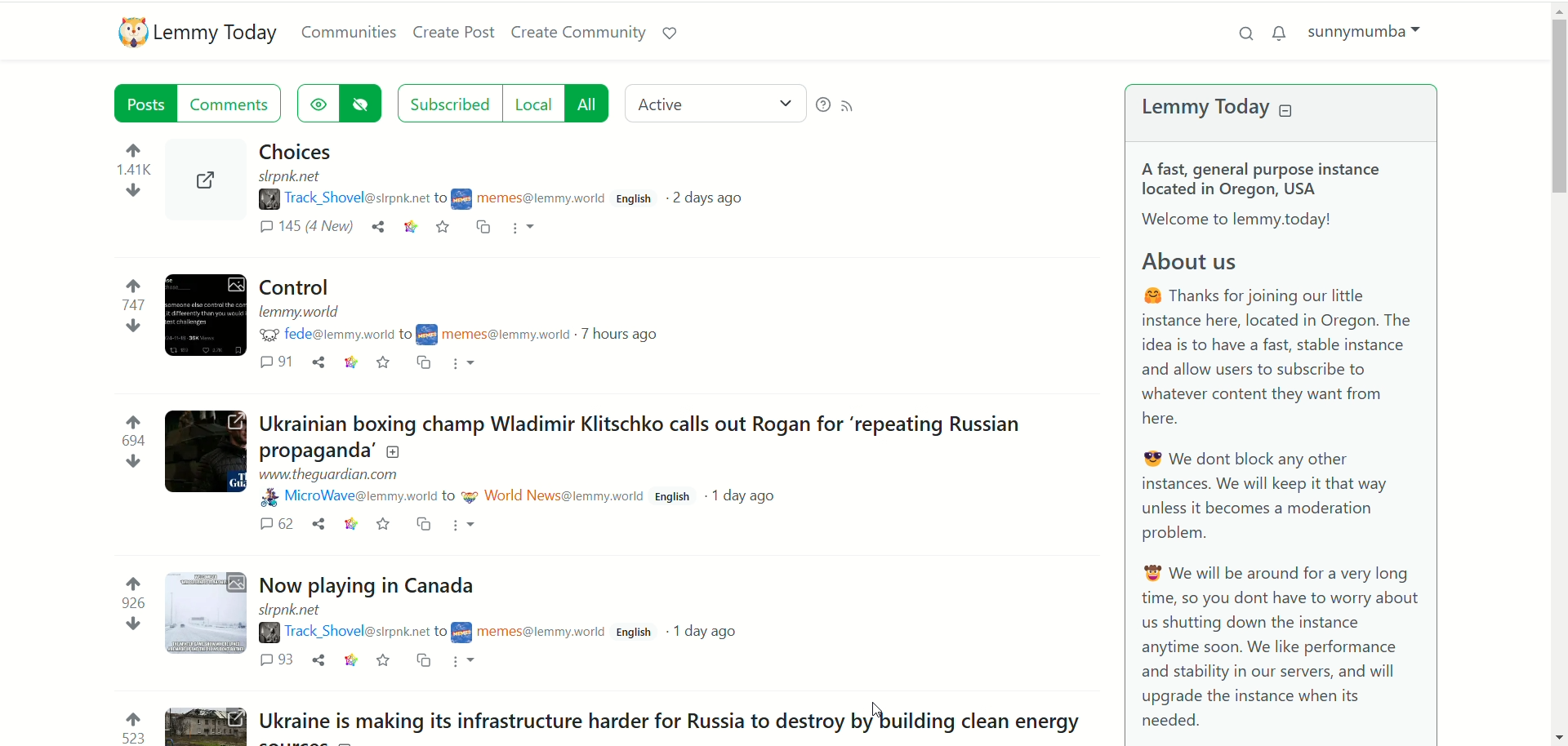 The image size is (1568, 746). Describe the element at coordinates (131, 605) in the screenshot. I see `votes up and down` at that location.